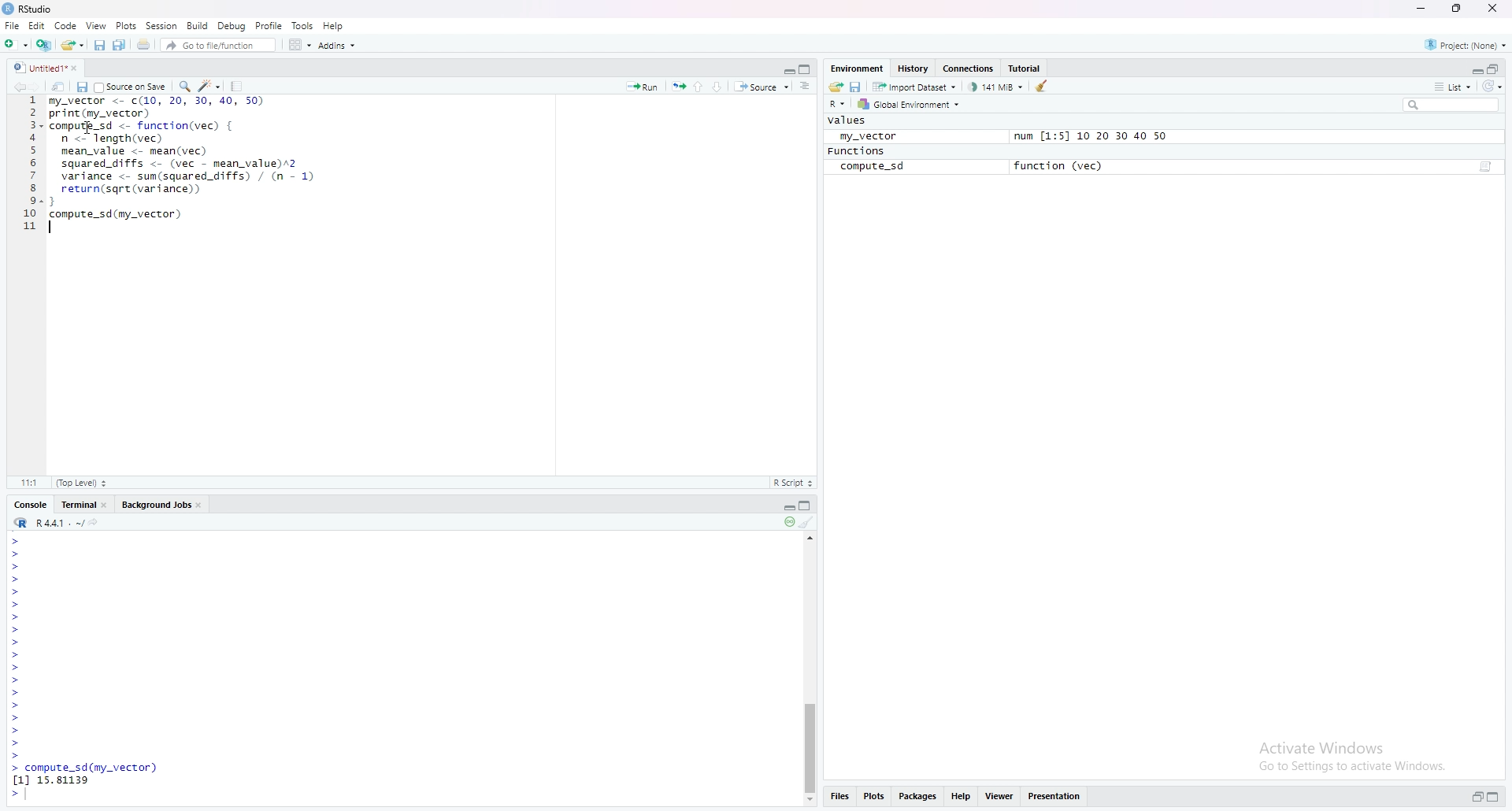 Image resolution: width=1512 pixels, height=811 pixels. Describe the element at coordinates (18, 719) in the screenshot. I see `Prompt cursor` at that location.